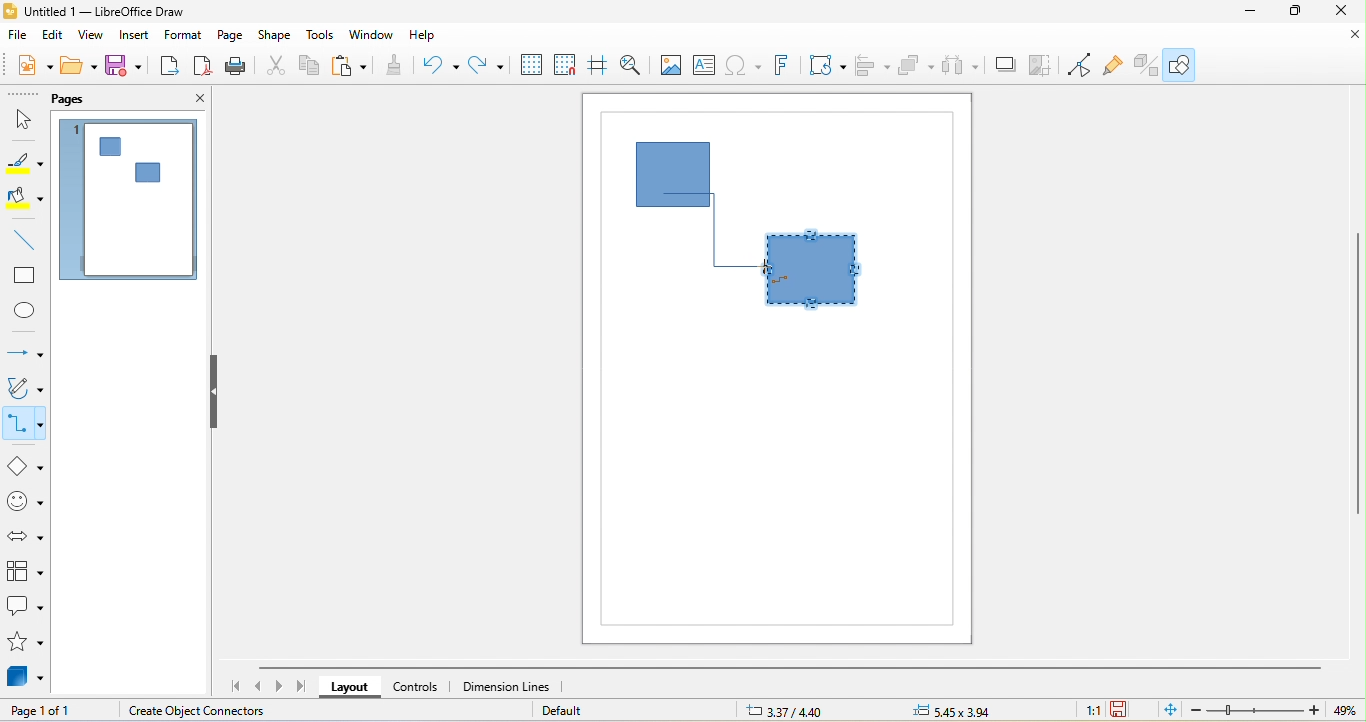  Describe the element at coordinates (826, 66) in the screenshot. I see `transformation` at that location.